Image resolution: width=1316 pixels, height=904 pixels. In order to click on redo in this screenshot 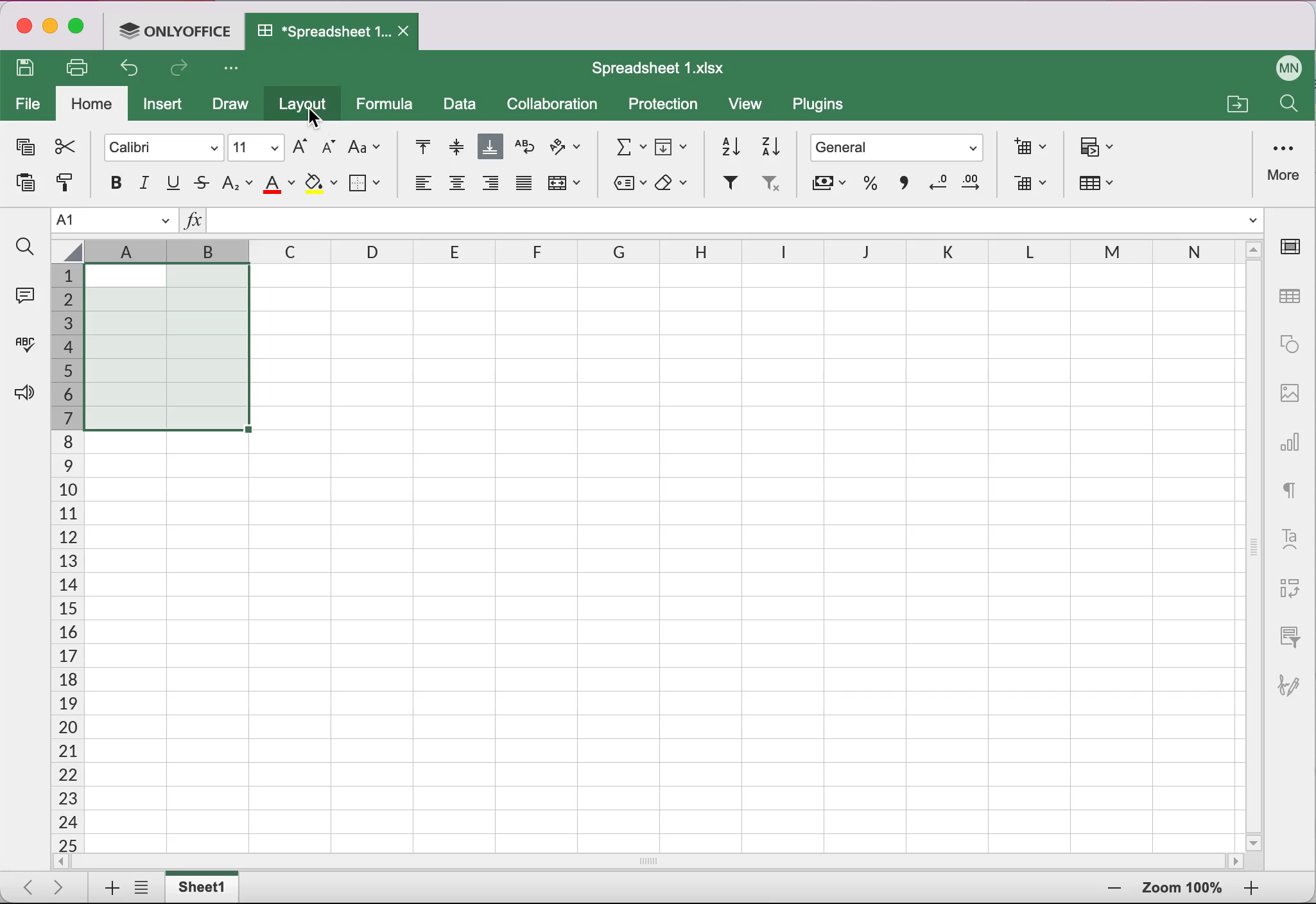, I will do `click(182, 71)`.